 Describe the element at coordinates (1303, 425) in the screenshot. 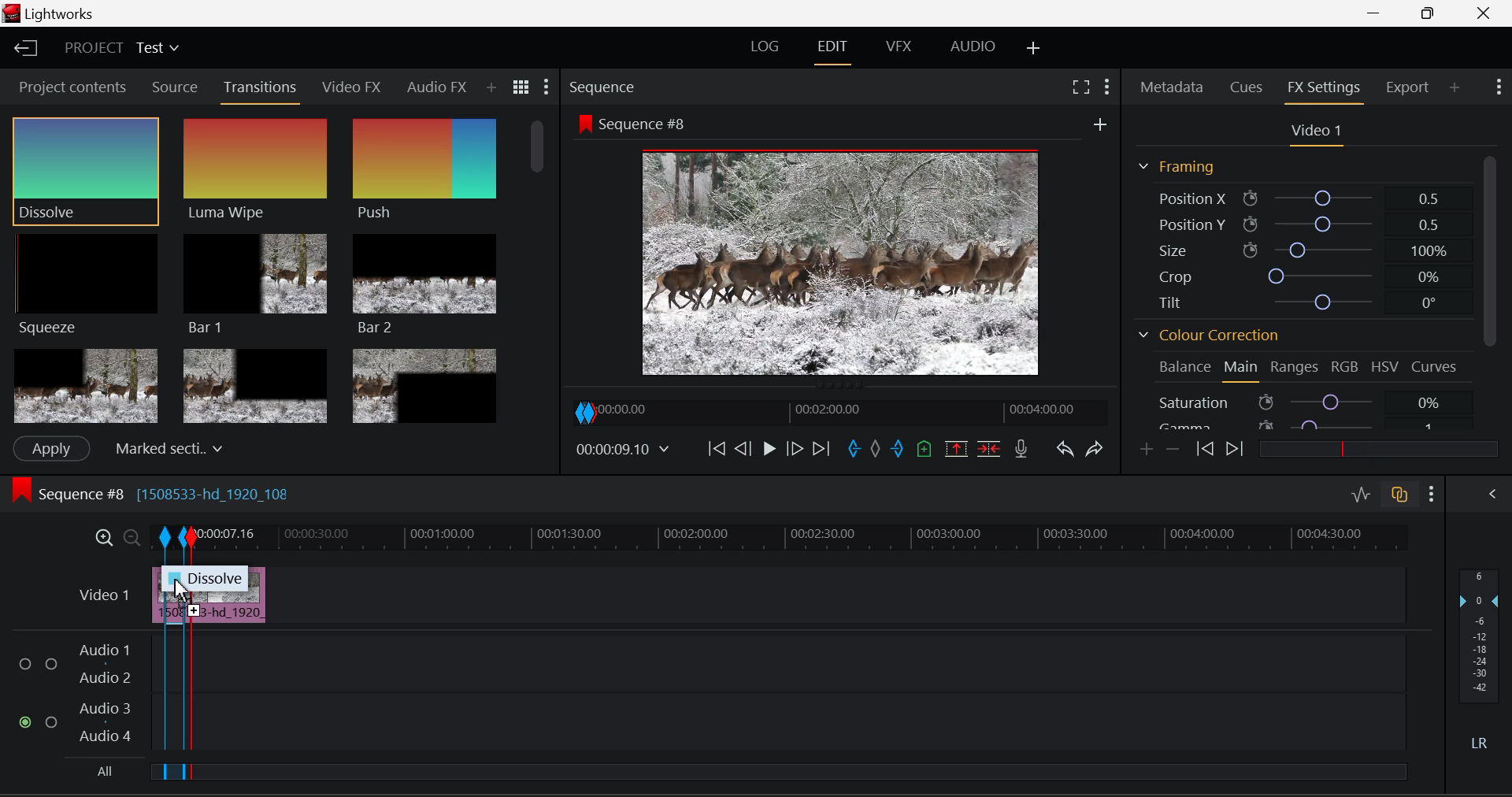

I see `Gamma` at that location.